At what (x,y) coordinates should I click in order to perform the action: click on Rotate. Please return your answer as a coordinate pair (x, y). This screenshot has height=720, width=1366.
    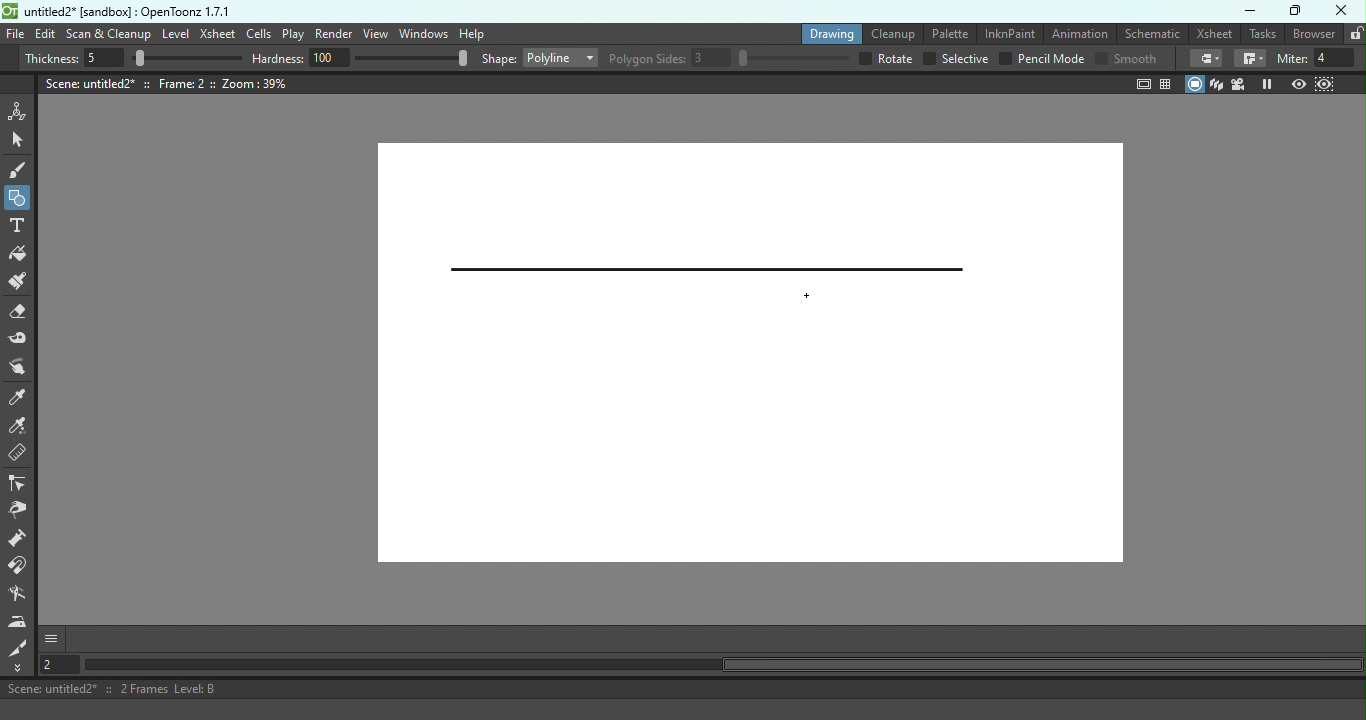
    Looking at the image, I should click on (886, 59).